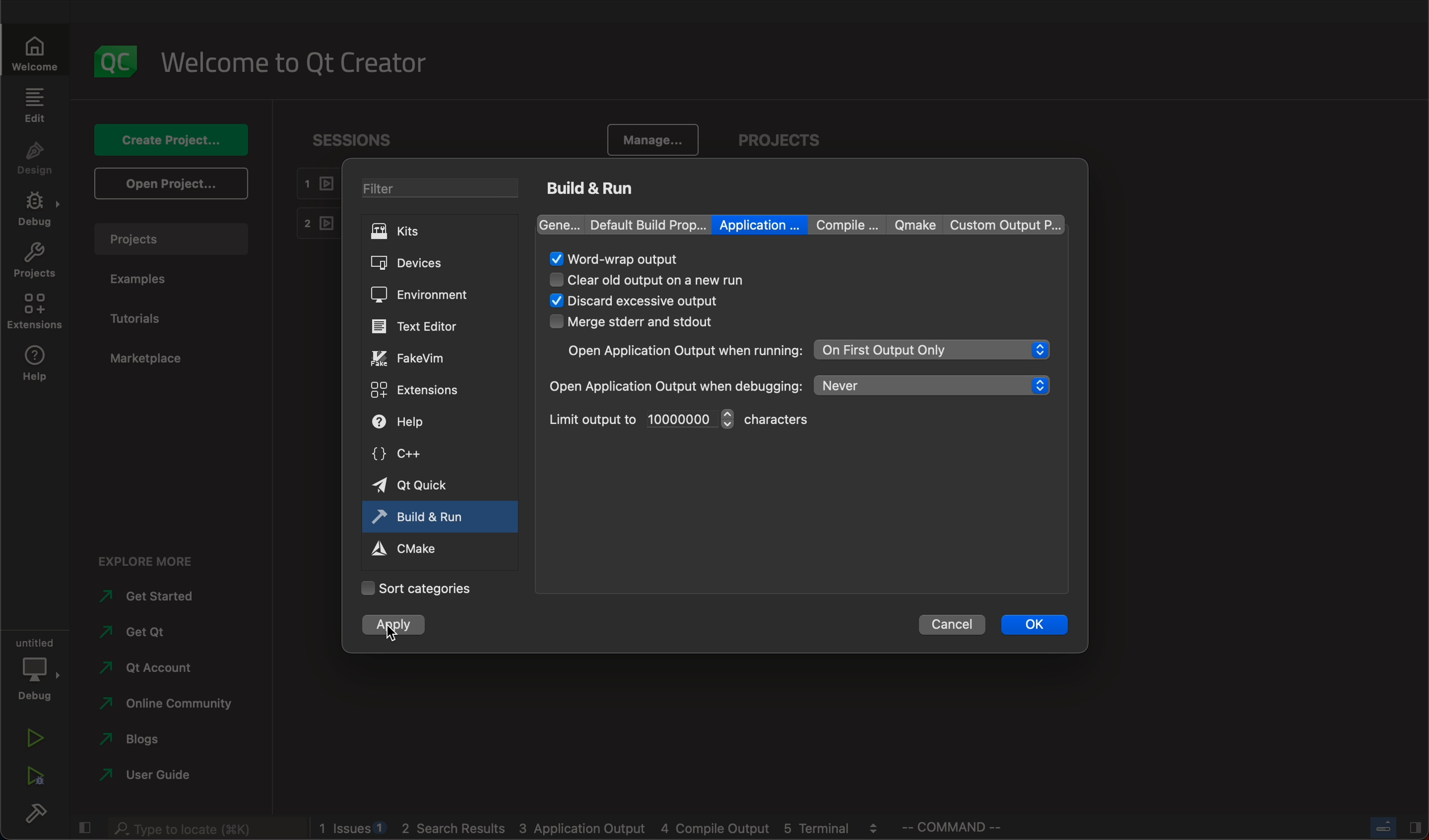  What do you see at coordinates (641, 302) in the screenshot?
I see `selectes` at bounding box center [641, 302].